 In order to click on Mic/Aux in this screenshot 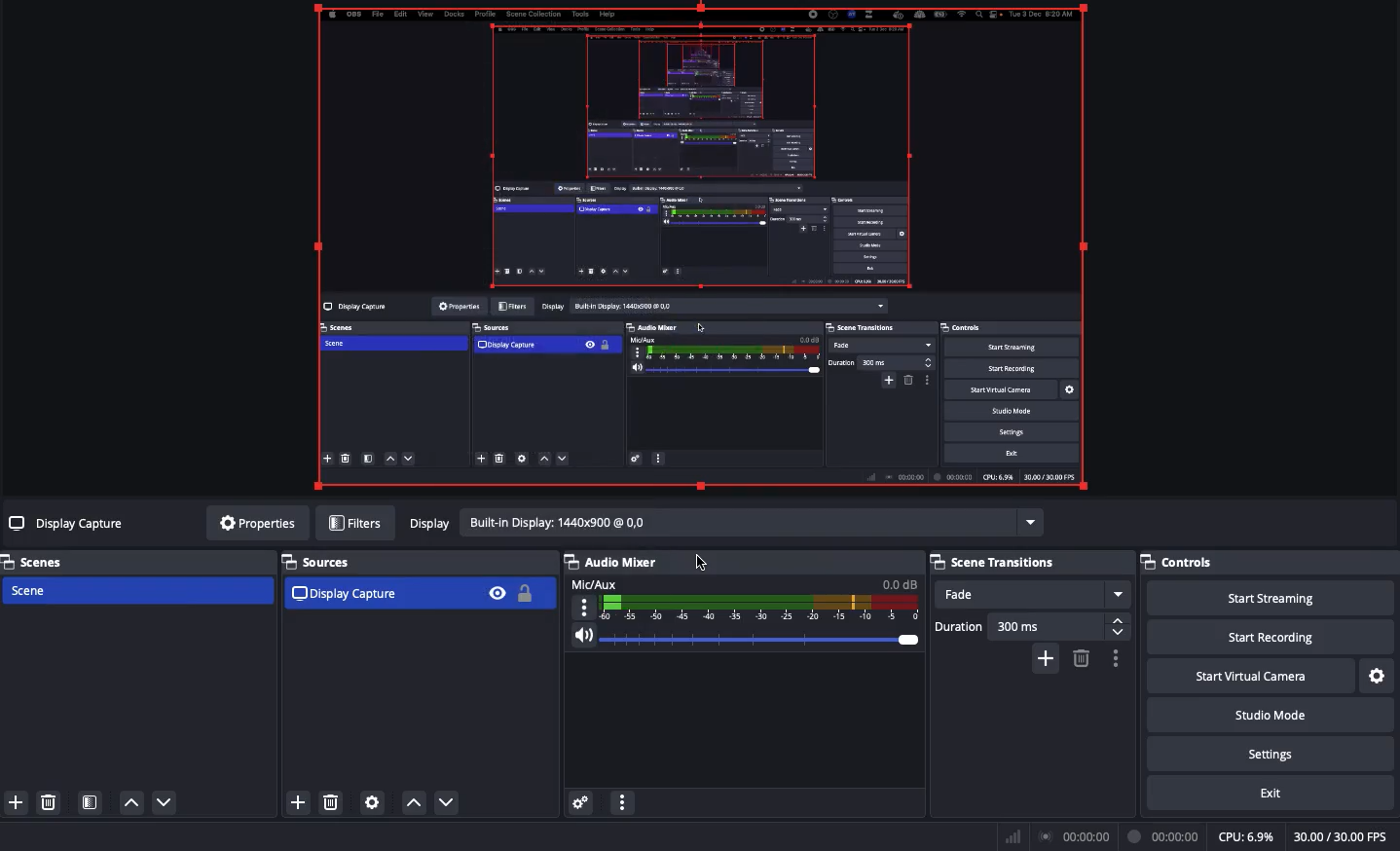, I will do `click(748, 599)`.